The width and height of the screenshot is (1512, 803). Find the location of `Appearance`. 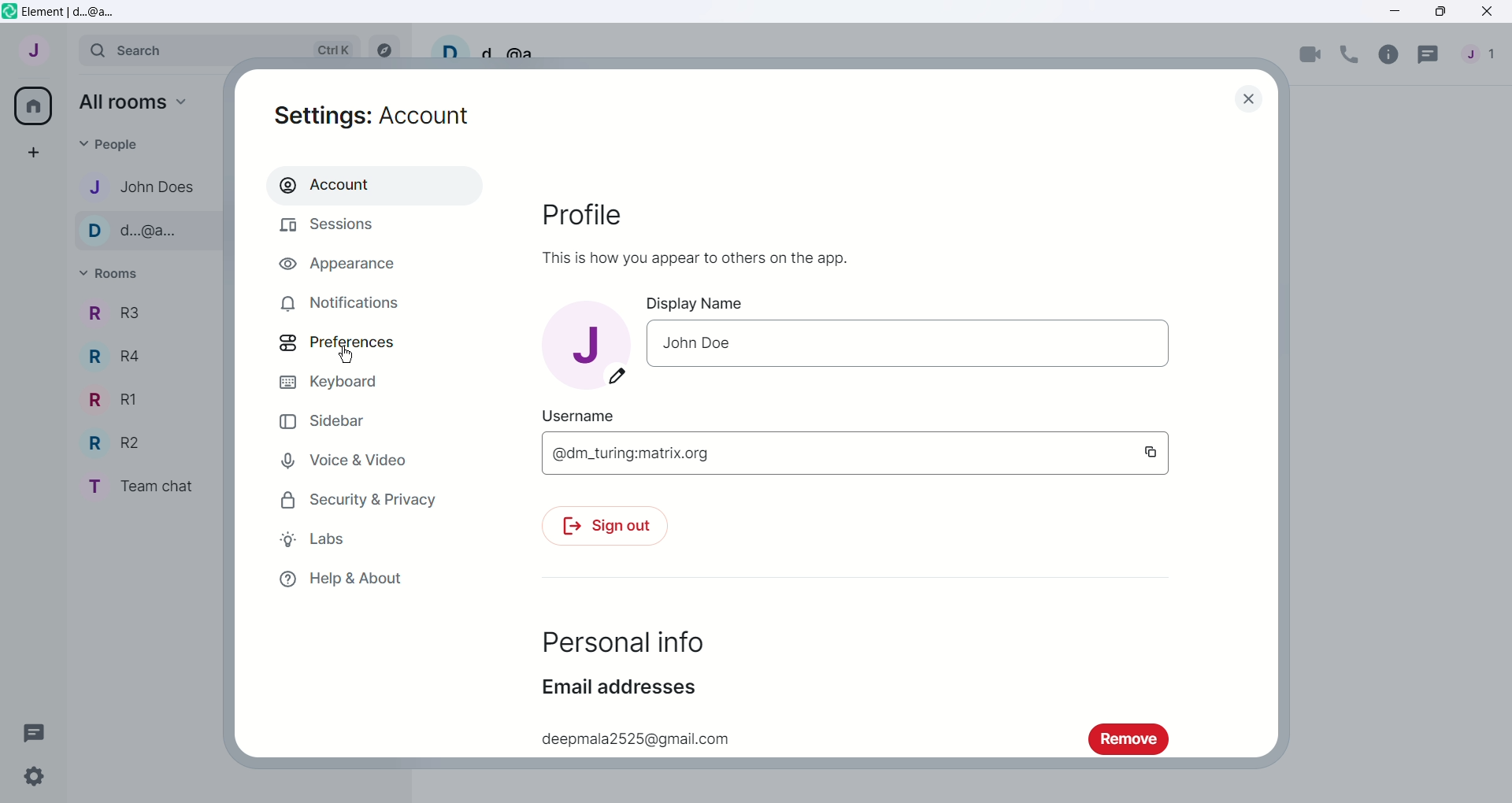

Appearance is located at coordinates (370, 261).